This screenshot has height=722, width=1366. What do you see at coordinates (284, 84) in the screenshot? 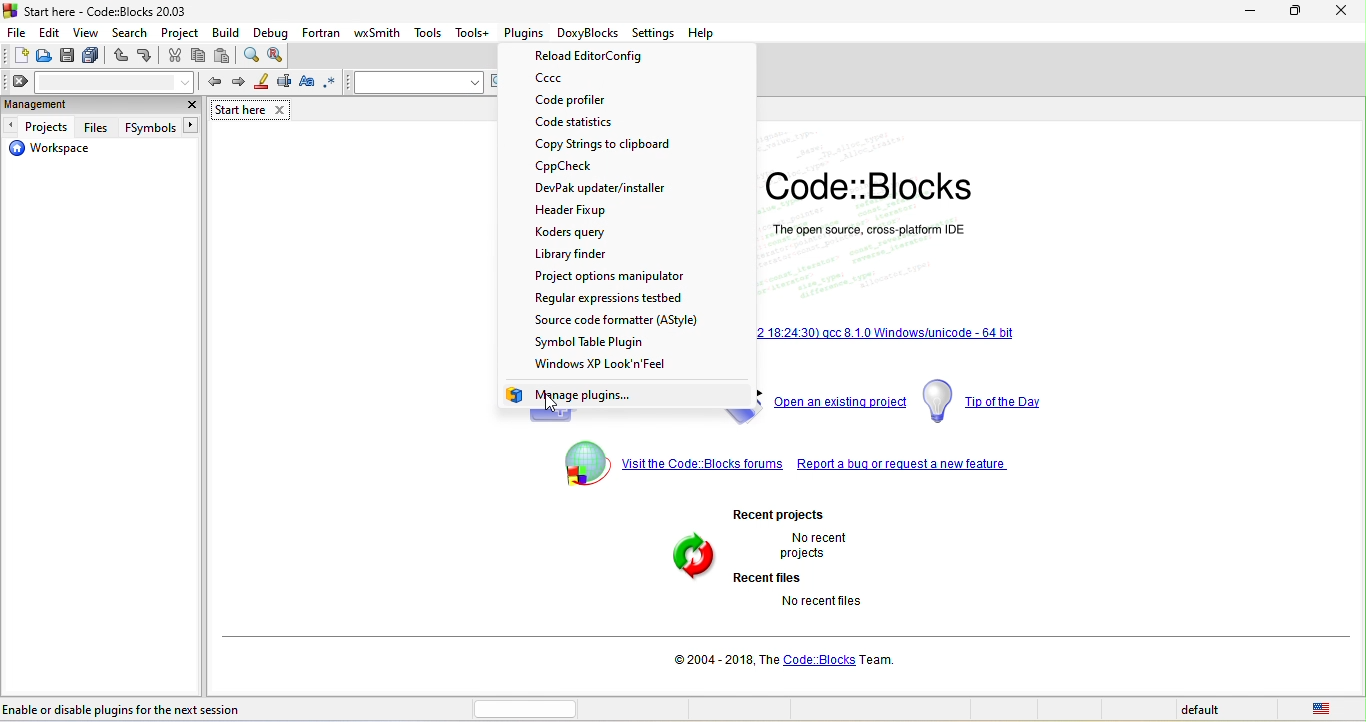
I see `selected text` at bounding box center [284, 84].